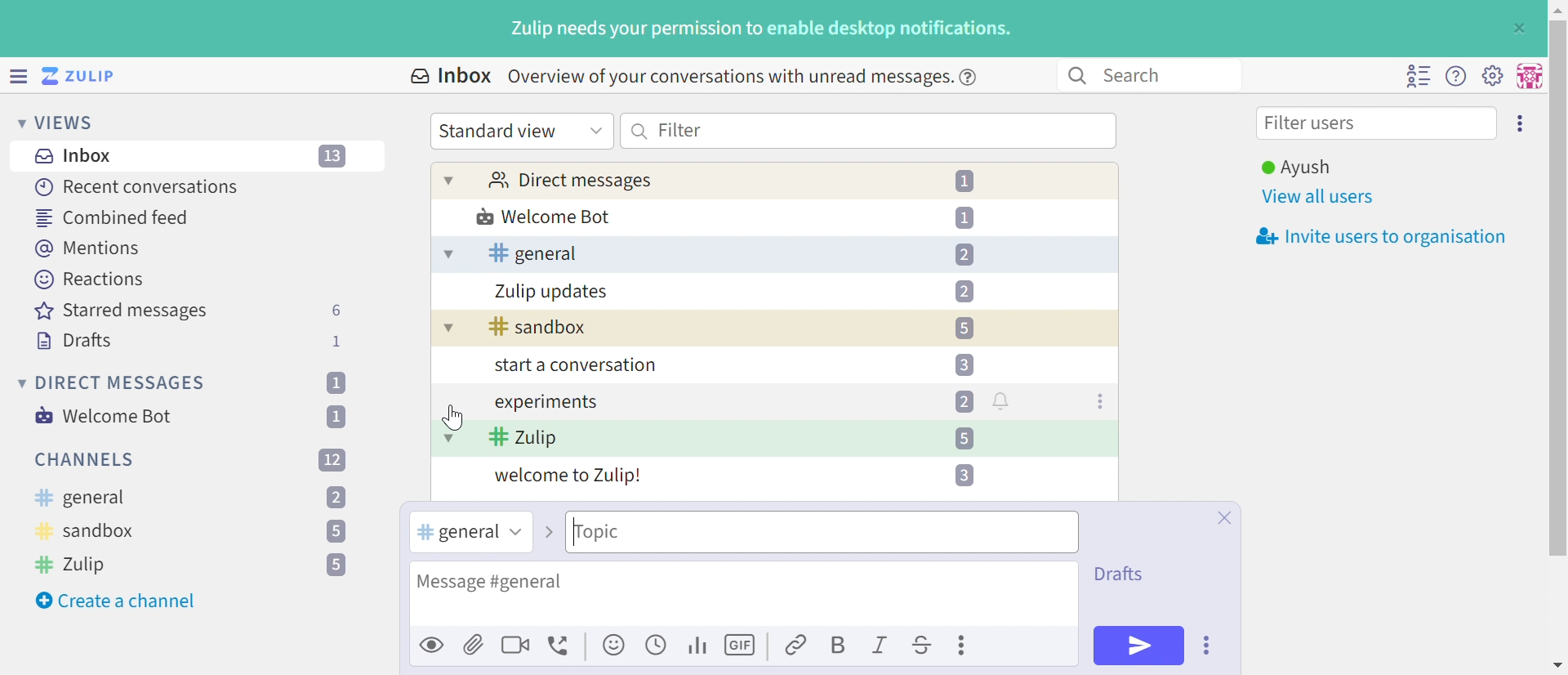 The height and width of the screenshot is (675, 1568). What do you see at coordinates (336, 565) in the screenshot?
I see `5` at bounding box center [336, 565].